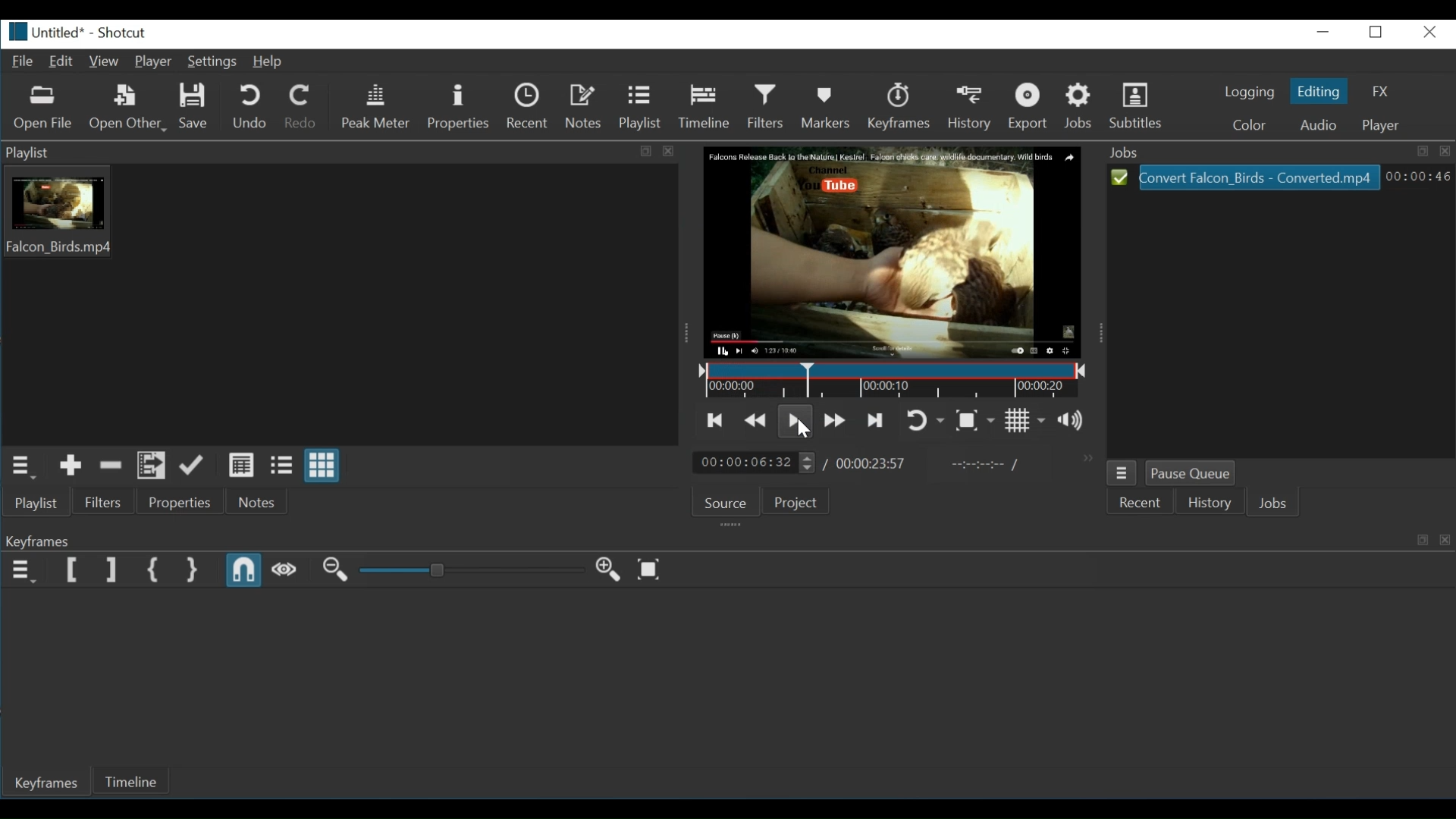  What do you see at coordinates (152, 571) in the screenshot?
I see `Set First Simple Keyframe` at bounding box center [152, 571].